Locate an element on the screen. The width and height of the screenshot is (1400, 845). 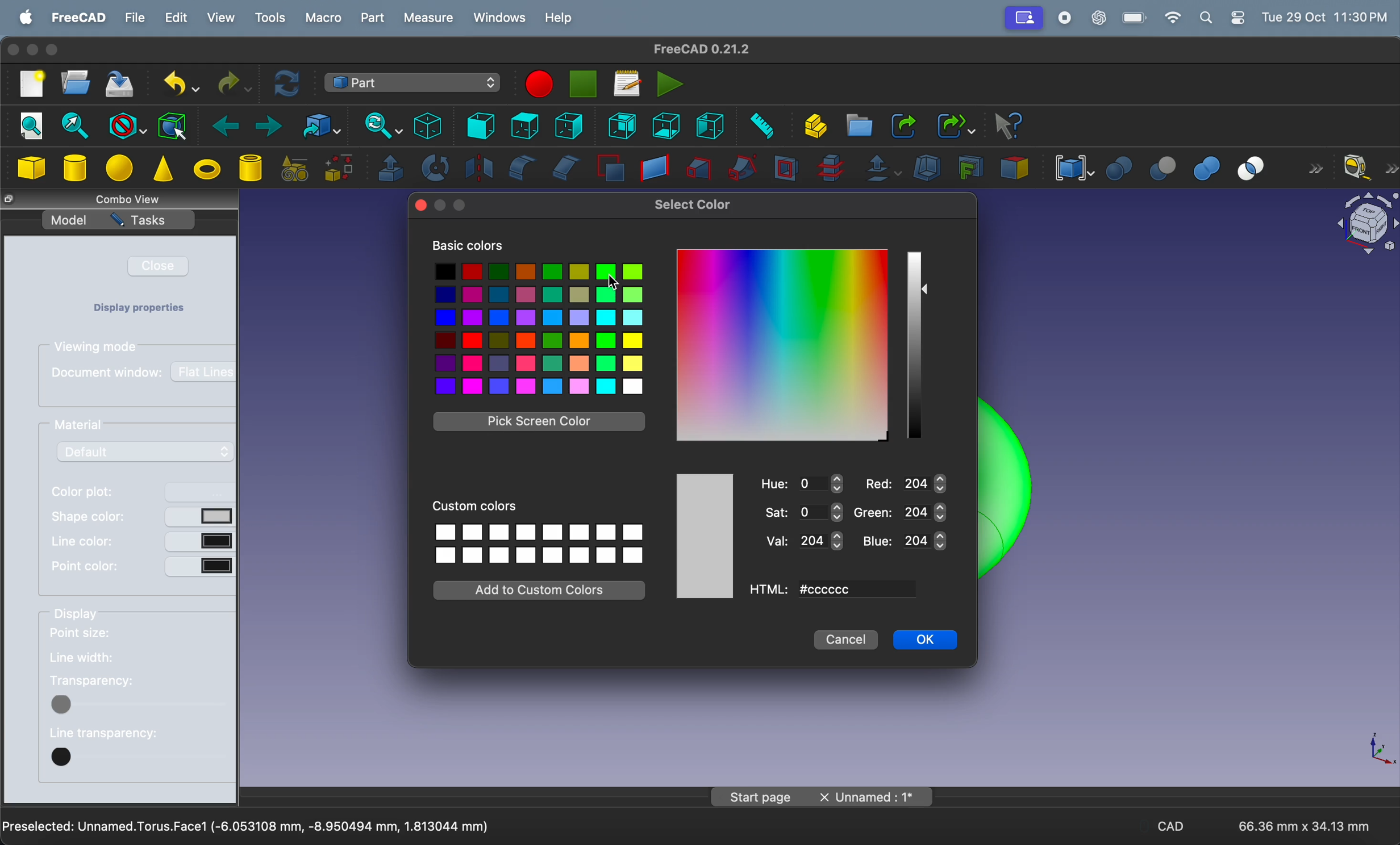
create part is located at coordinates (811, 126).